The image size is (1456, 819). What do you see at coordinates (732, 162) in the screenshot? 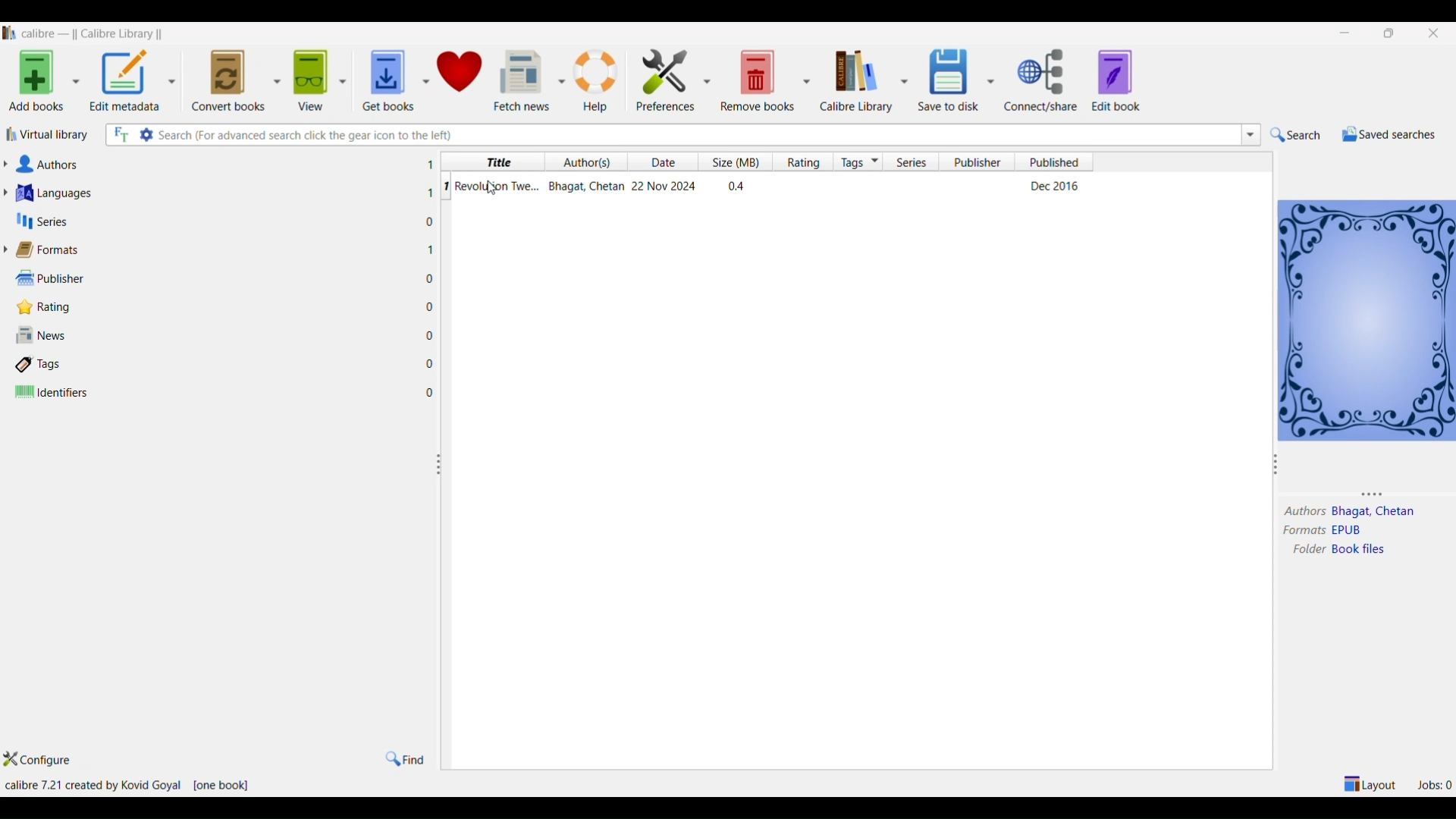
I see `size` at bounding box center [732, 162].